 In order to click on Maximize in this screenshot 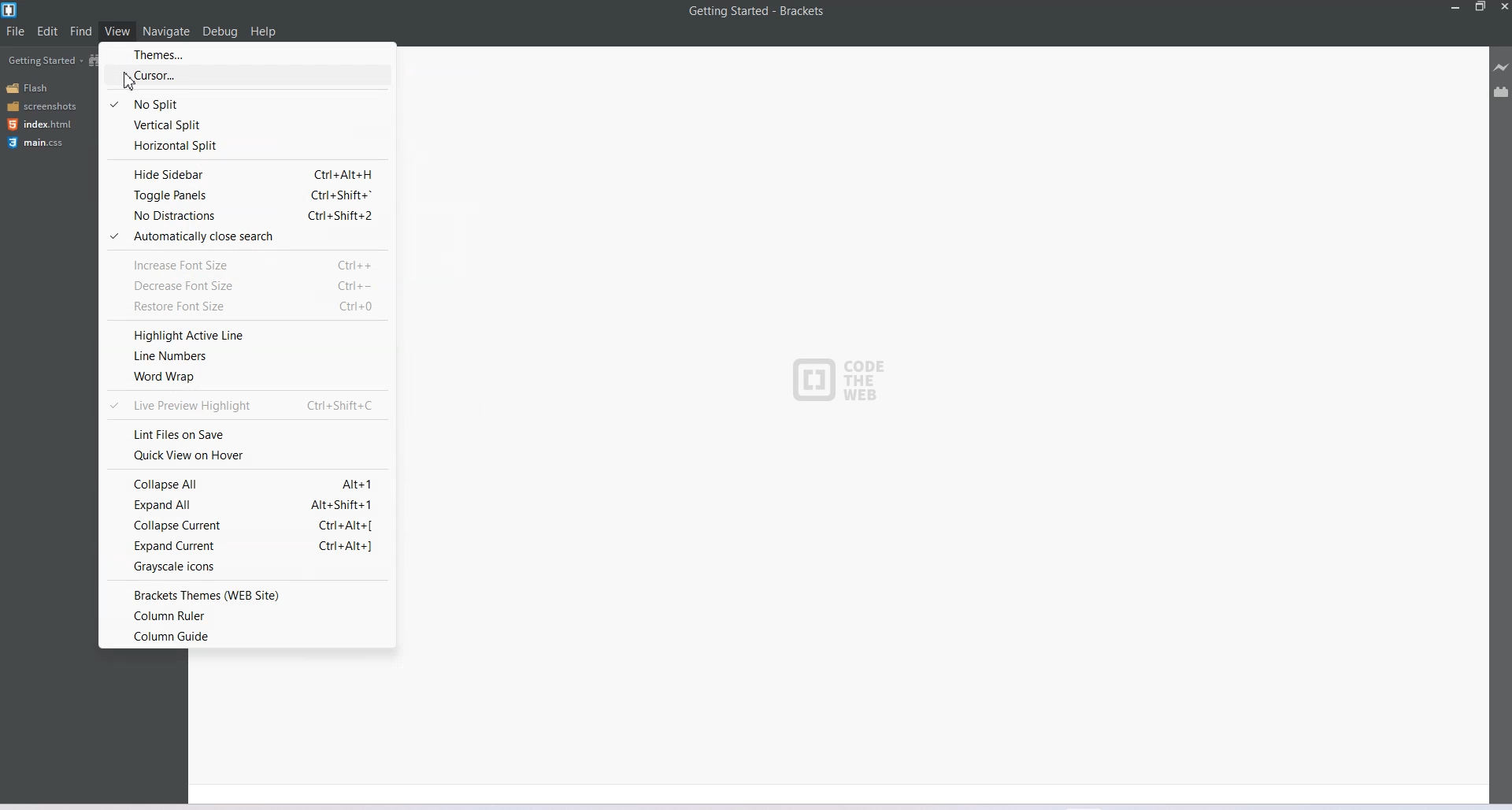, I will do `click(1480, 7)`.